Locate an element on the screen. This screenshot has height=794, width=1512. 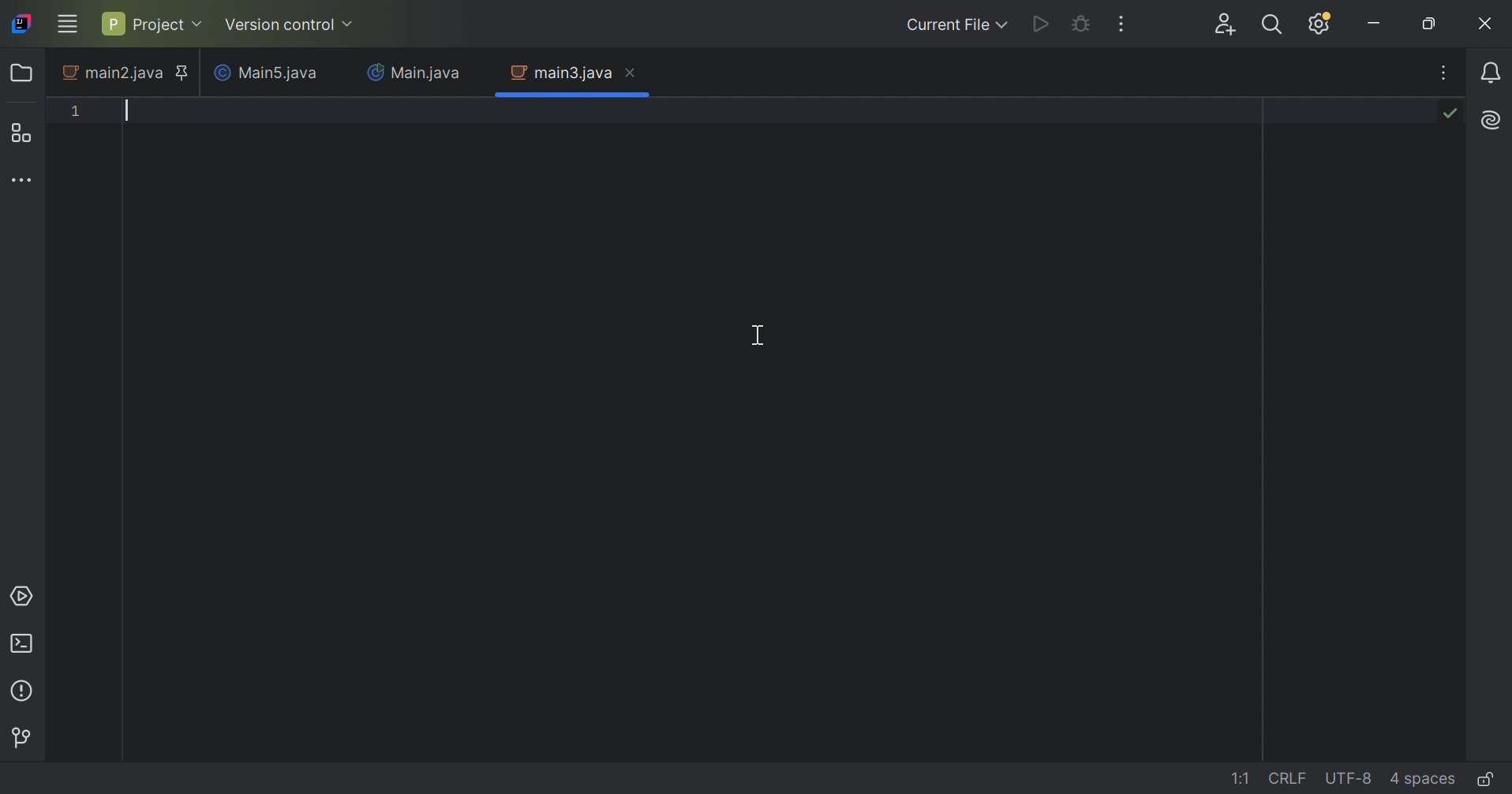
Problems is located at coordinates (22, 691).